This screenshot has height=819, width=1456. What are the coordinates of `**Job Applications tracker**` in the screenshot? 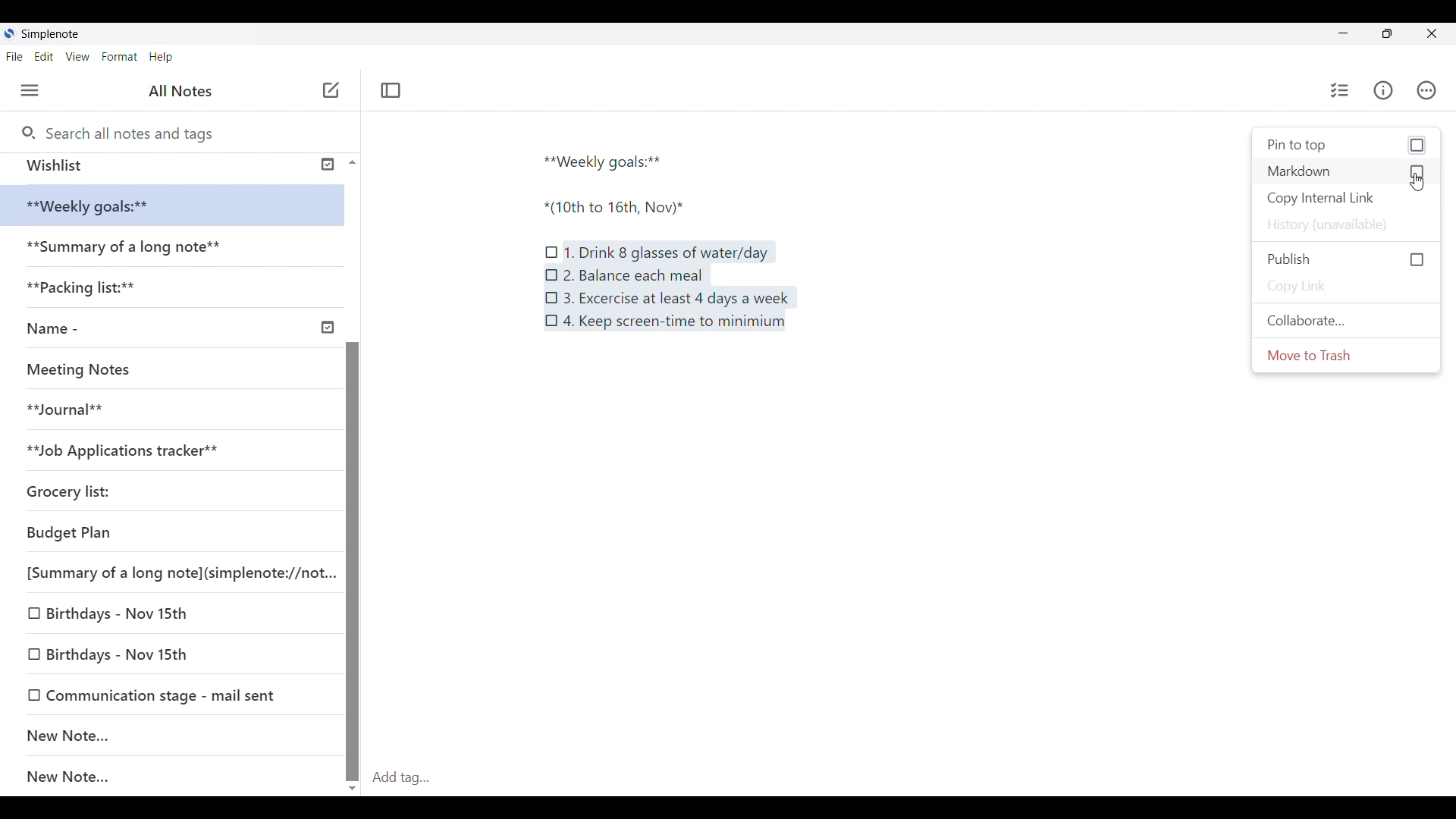 It's located at (137, 450).